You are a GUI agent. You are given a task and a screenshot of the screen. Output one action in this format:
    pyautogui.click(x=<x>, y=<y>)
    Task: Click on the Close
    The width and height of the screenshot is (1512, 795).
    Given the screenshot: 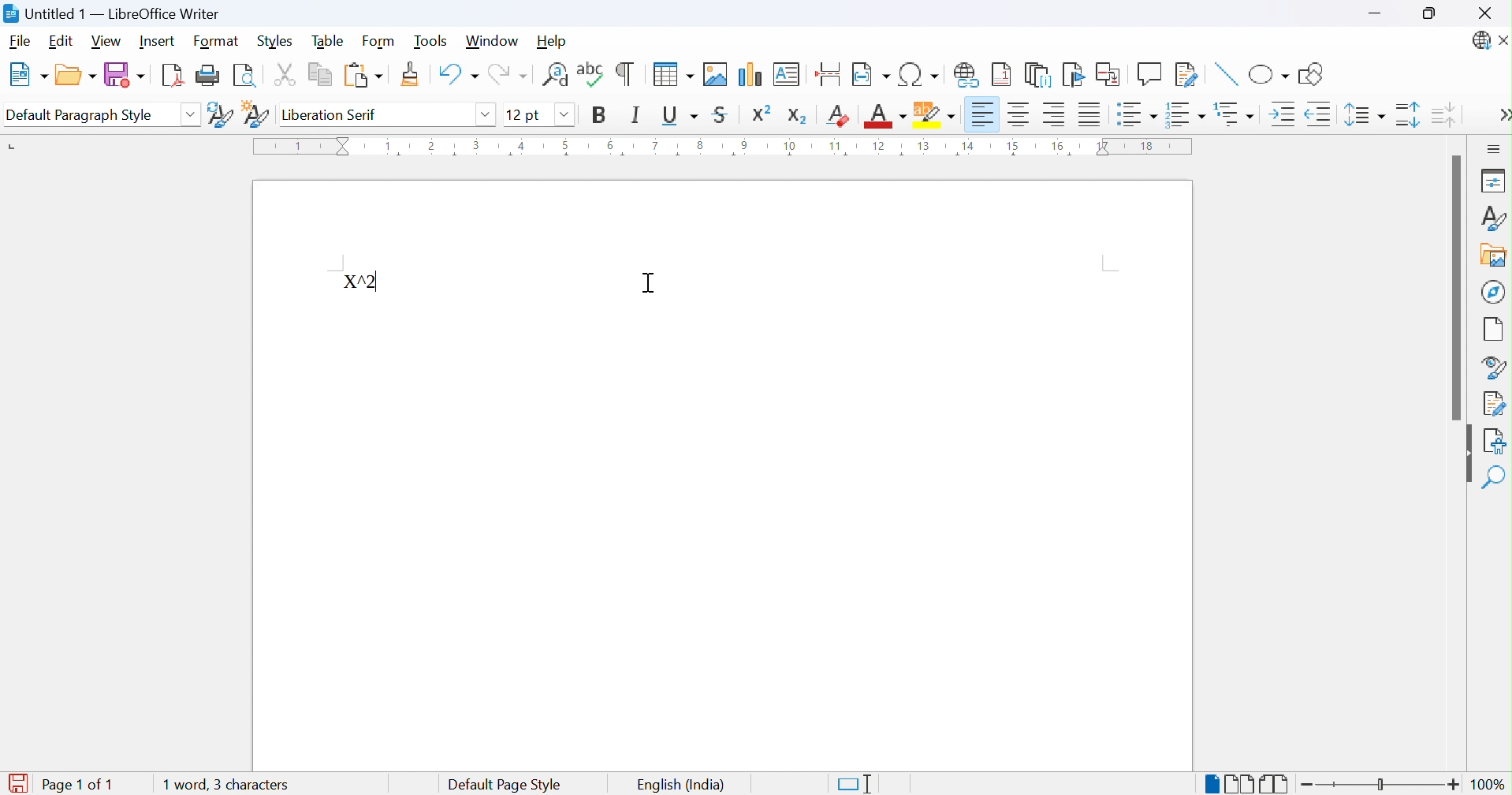 What is the action you would take?
    pyautogui.click(x=1503, y=40)
    